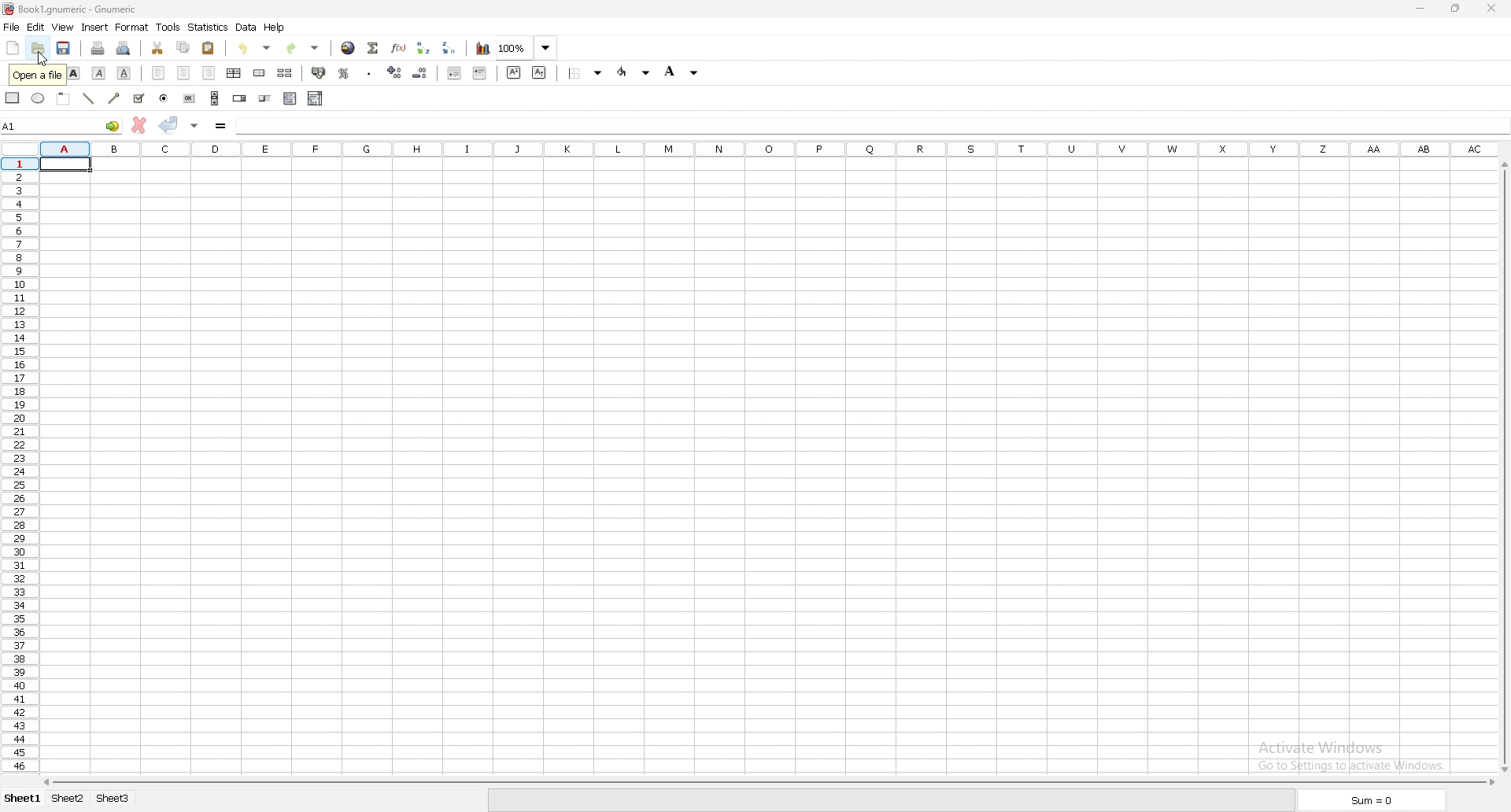 Image resolution: width=1511 pixels, height=812 pixels. Describe the element at coordinates (35, 74) in the screenshot. I see `cursor description` at that location.